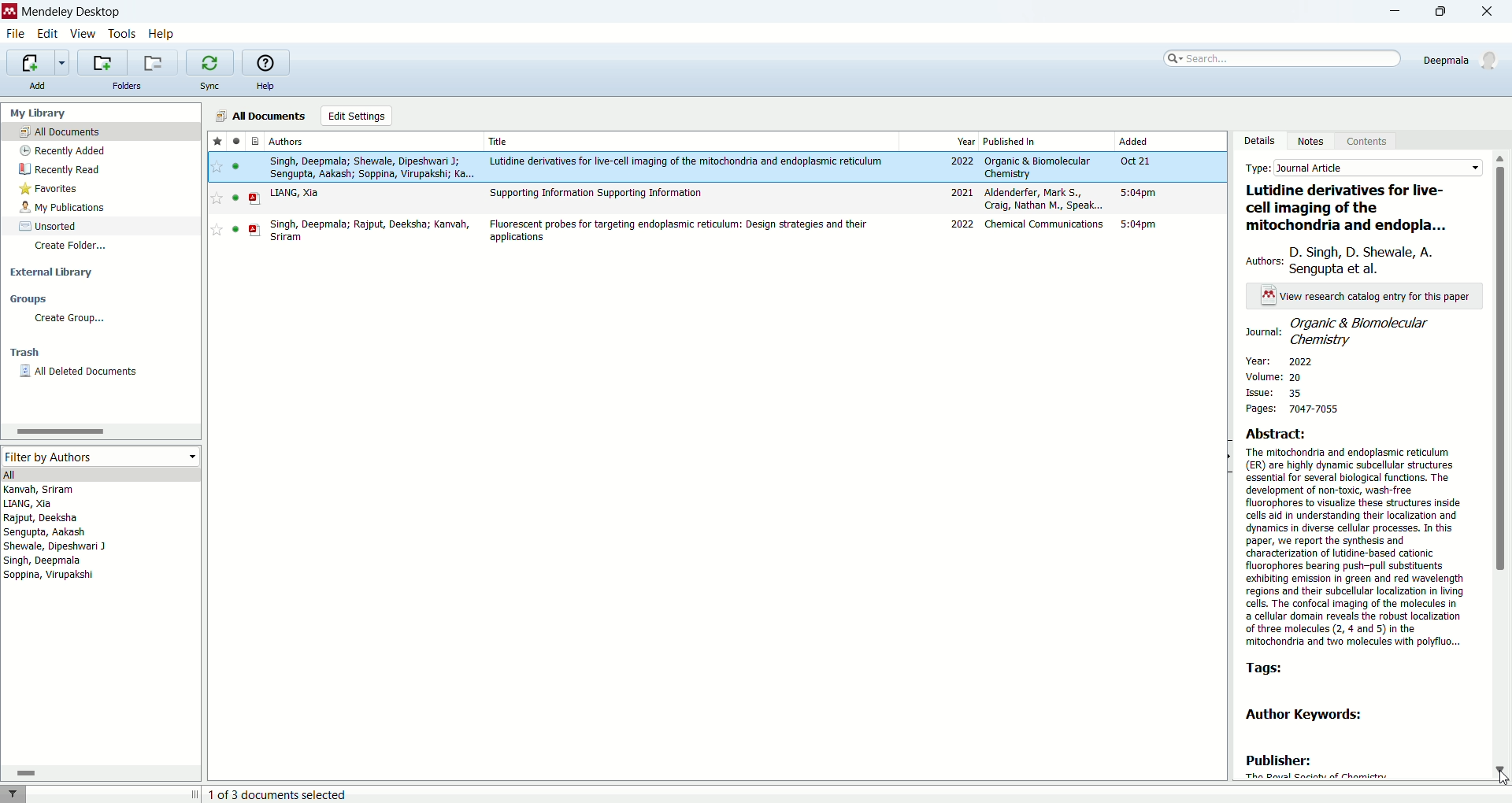 The height and width of the screenshot is (803, 1512). What do you see at coordinates (287, 141) in the screenshot?
I see `authors` at bounding box center [287, 141].